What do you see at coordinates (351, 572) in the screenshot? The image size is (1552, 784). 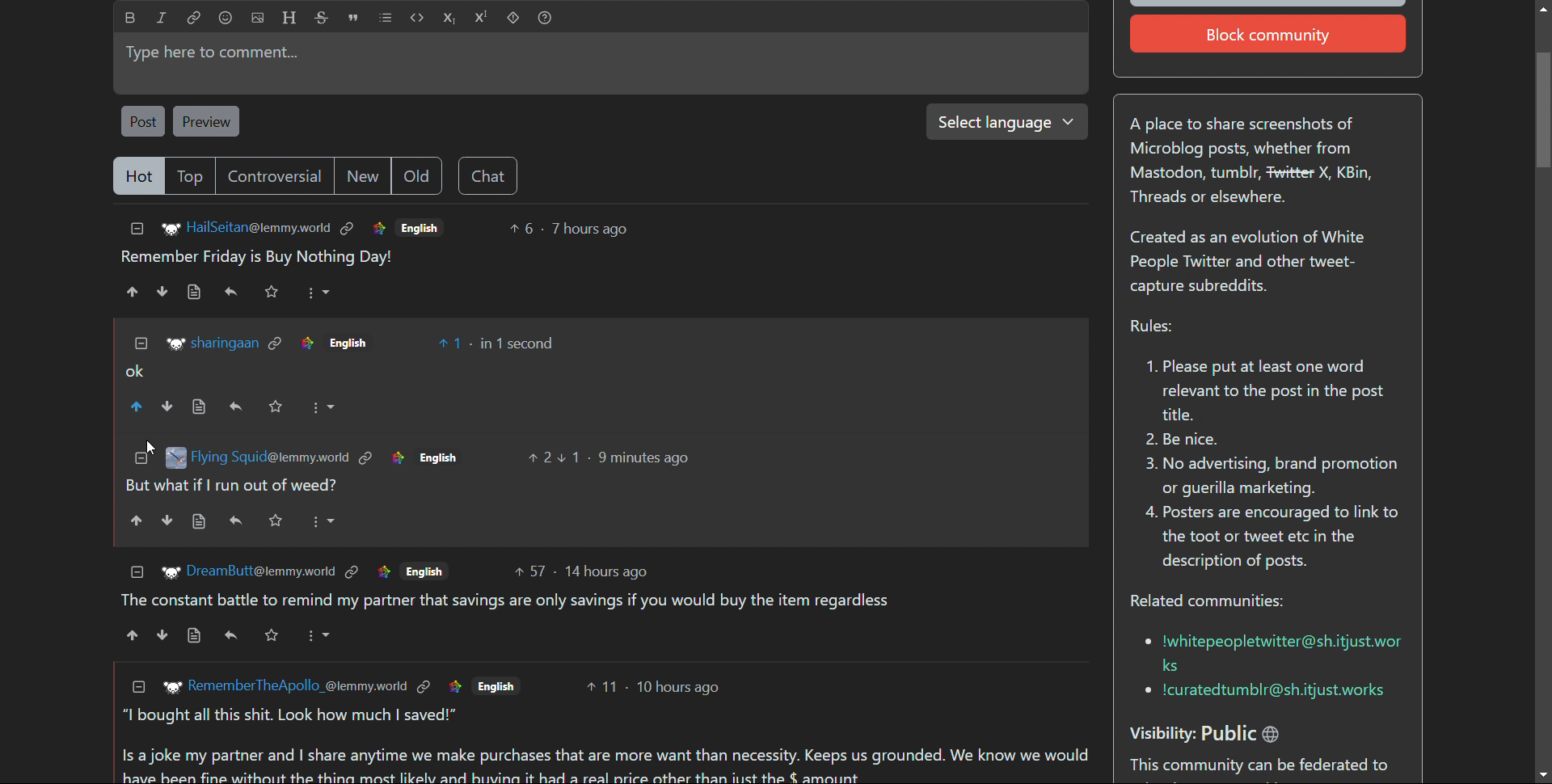 I see `link` at bounding box center [351, 572].